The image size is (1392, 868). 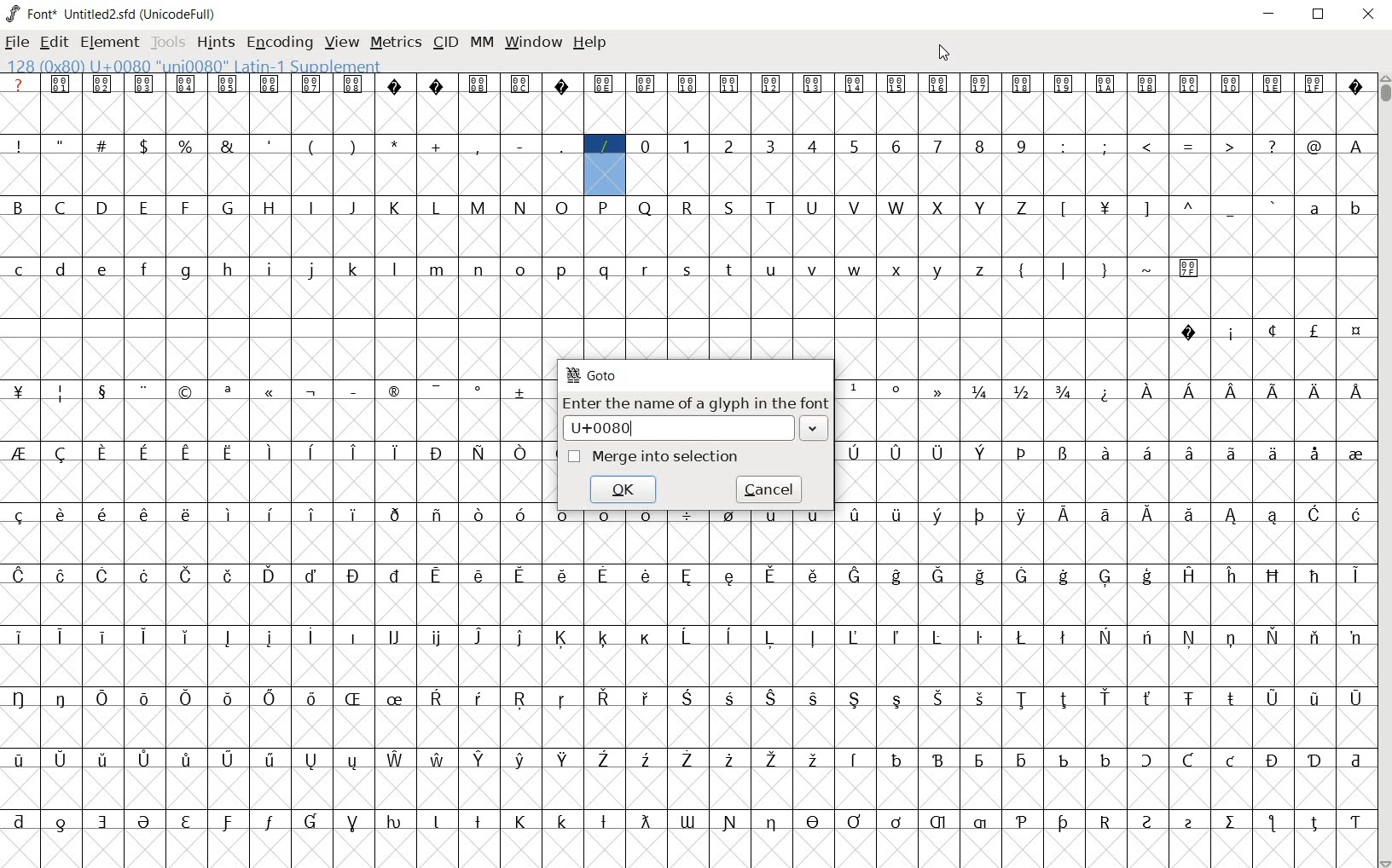 What do you see at coordinates (227, 638) in the screenshot?
I see `glyph` at bounding box center [227, 638].